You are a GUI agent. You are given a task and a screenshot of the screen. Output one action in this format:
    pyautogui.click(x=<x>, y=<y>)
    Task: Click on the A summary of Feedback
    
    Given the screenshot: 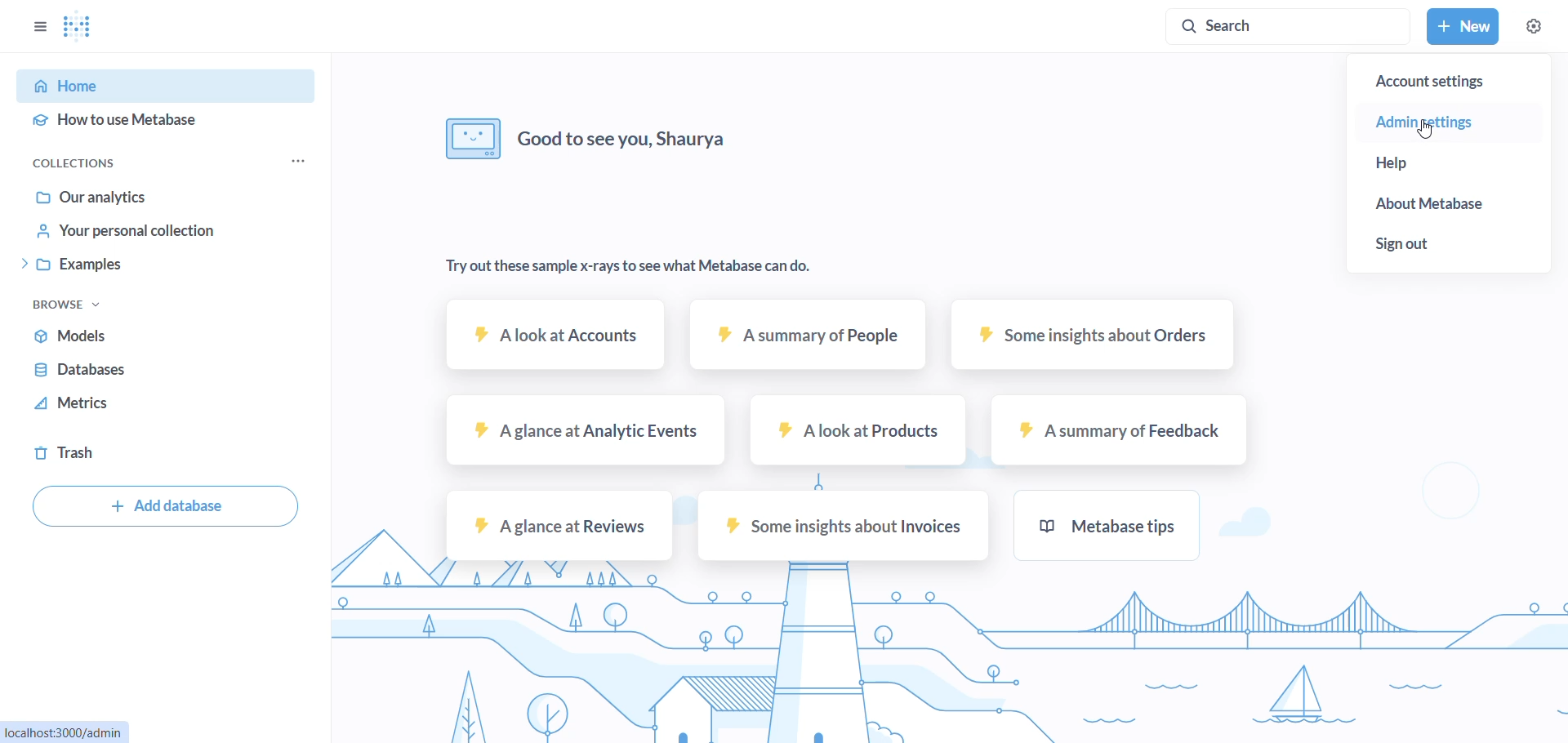 What is the action you would take?
    pyautogui.click(x=1121, y=431)
    